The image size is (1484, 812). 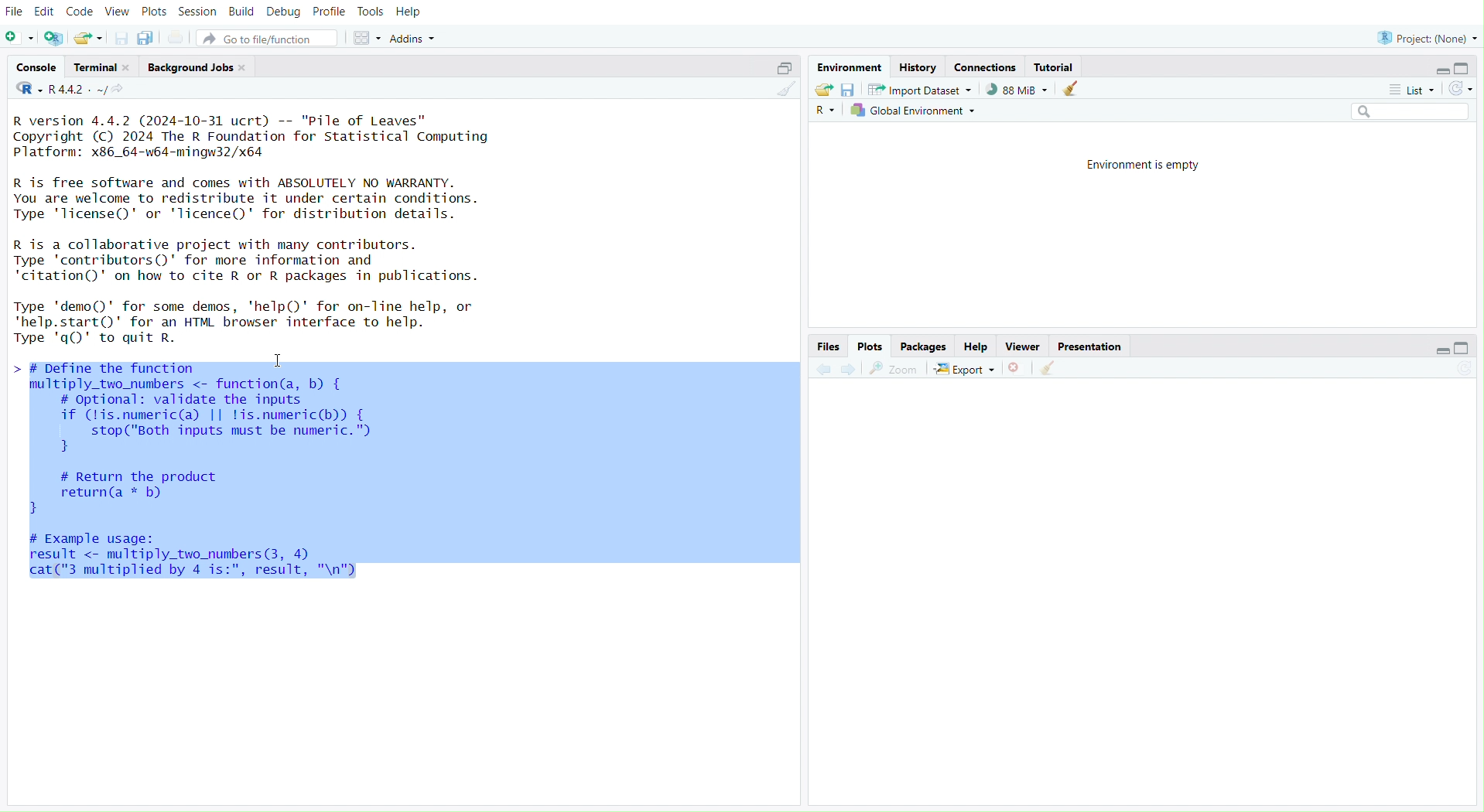 I want to click on Plots, so click(x=870, y=347).